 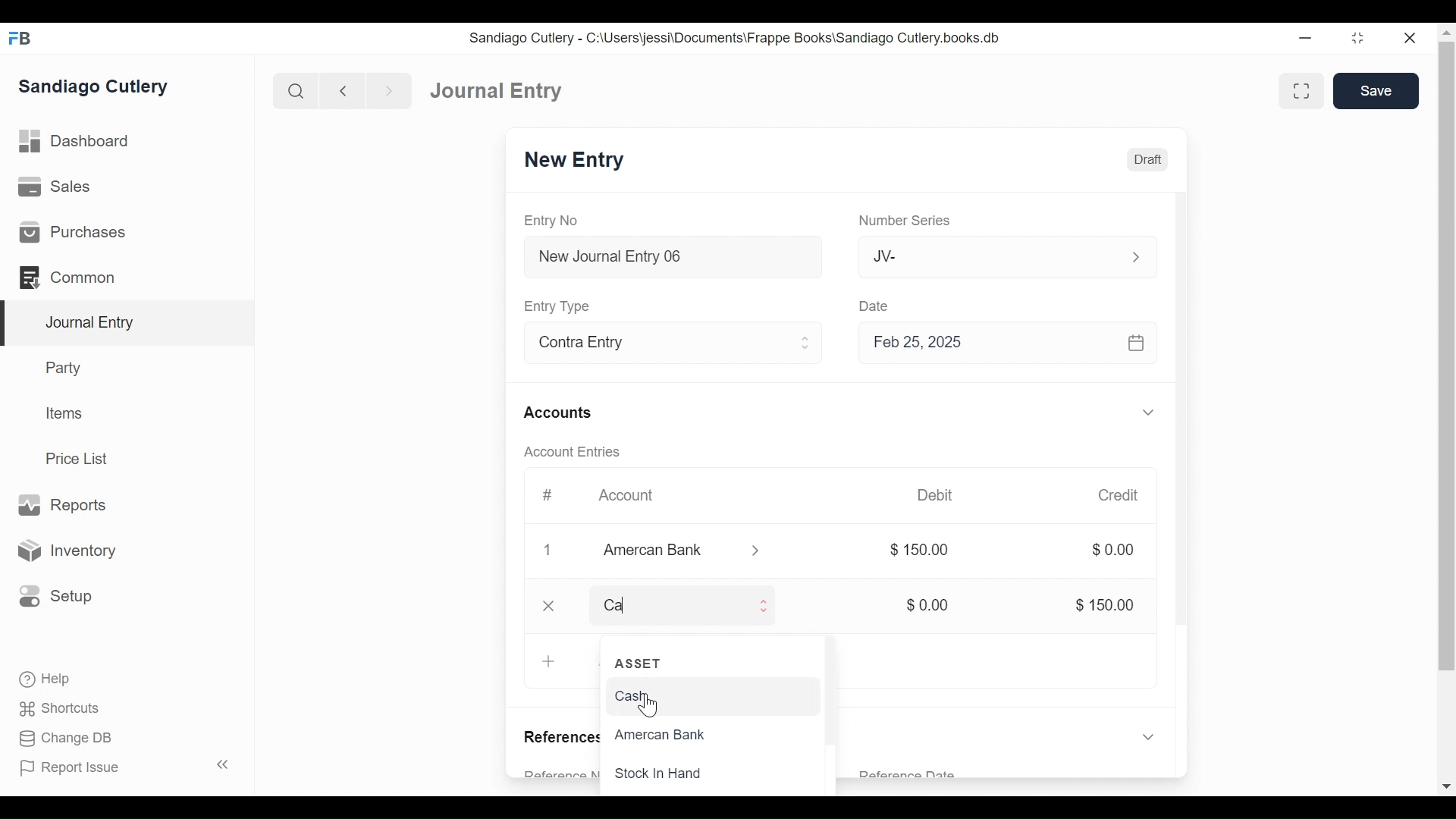 What do you see at coordinates (662, 772) in the screenshot?
I see `Stock In Hand` at bounding box center [662, 772].